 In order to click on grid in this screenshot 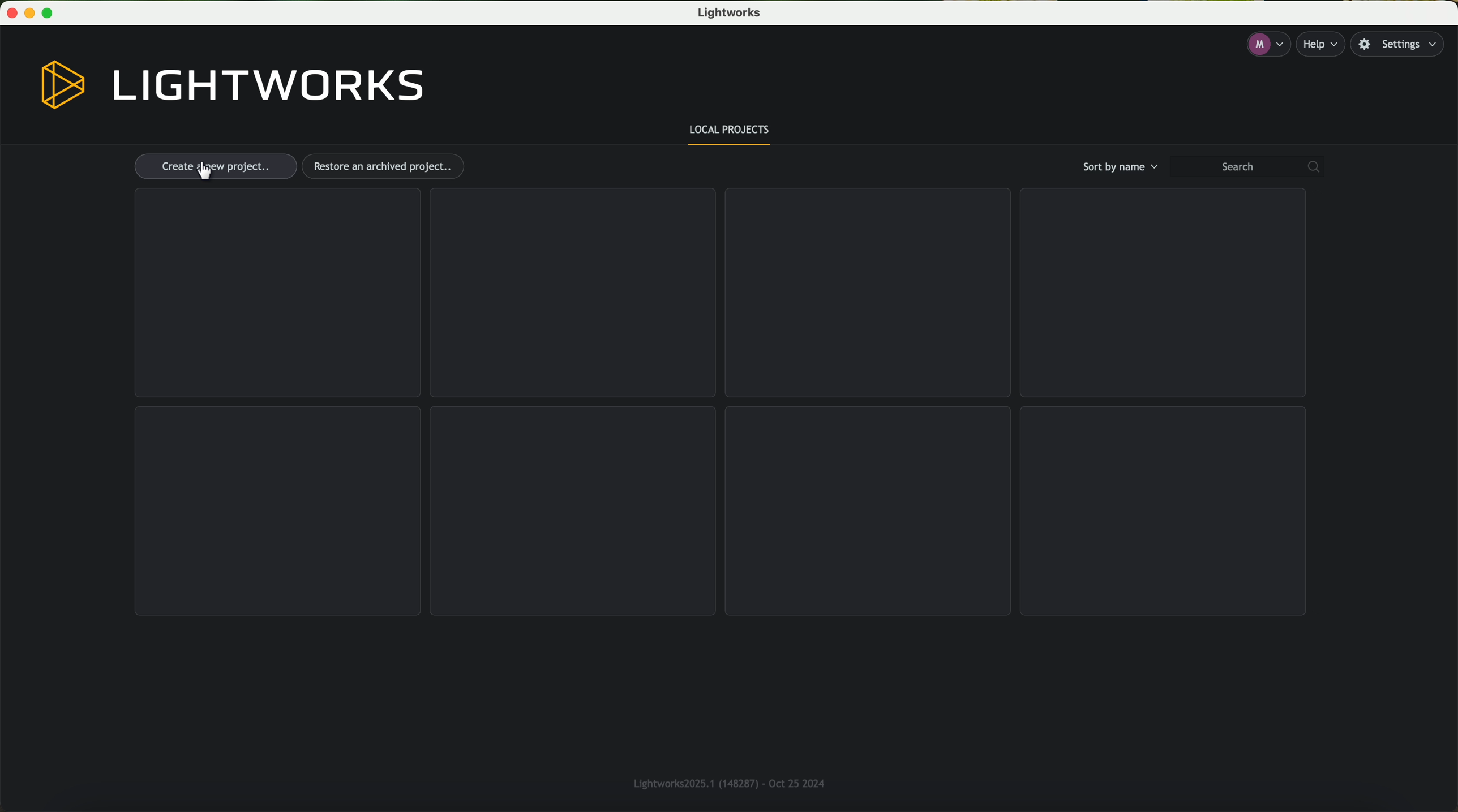, I will do `click(865, 293)`.